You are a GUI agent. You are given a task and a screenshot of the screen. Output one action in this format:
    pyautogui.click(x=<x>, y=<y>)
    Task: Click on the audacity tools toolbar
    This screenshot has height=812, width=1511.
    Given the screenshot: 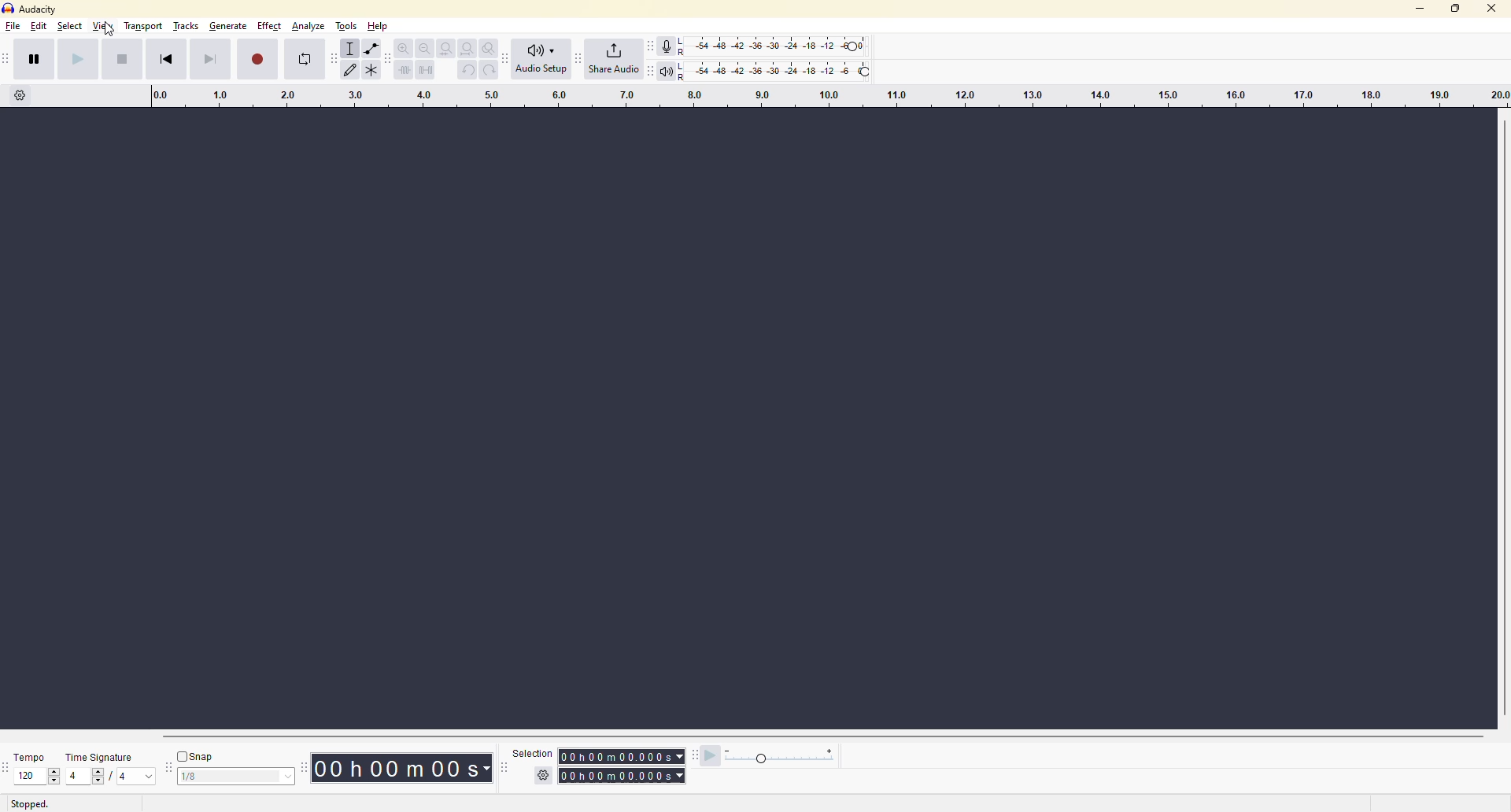 What is the action you would take?
    pyautogui.click(x=333, y=61)
    